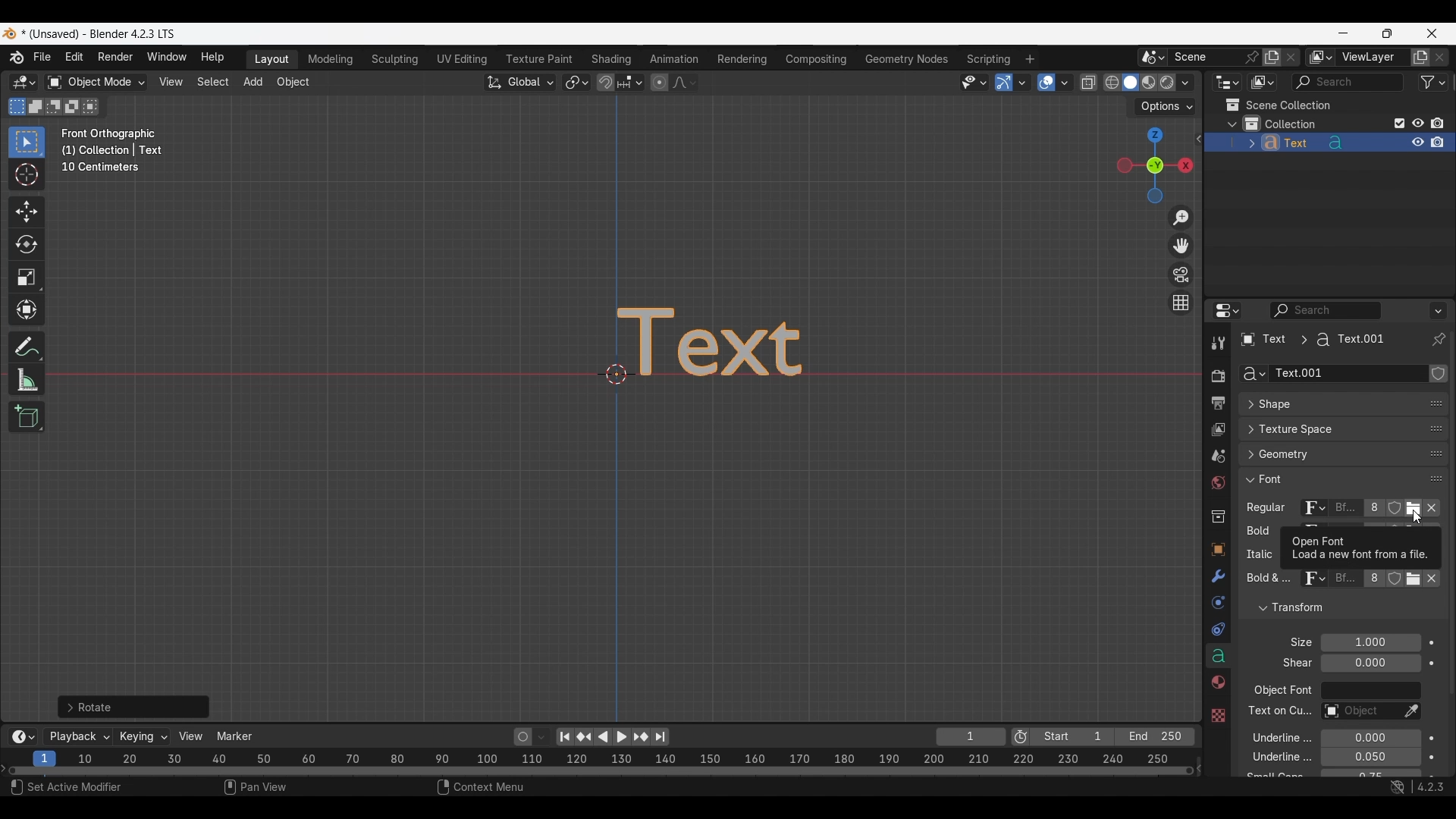 The height and width of the screenshot is (819, 1456). What do you see at coordinates (1217, 714) in the screenshot?
I see `` at bounding box center [1217, 714].